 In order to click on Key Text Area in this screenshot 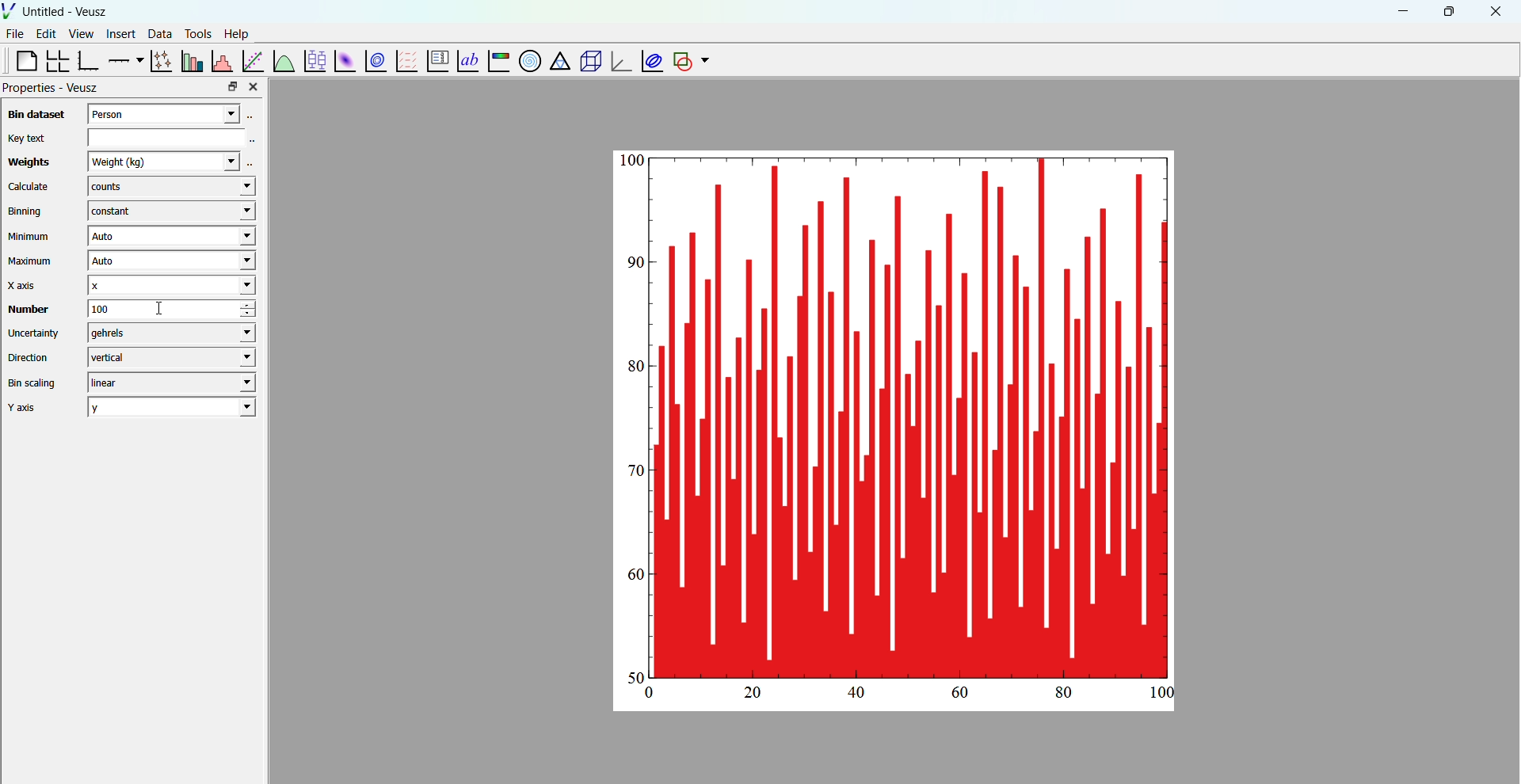, I will do `click(175, 136)`.